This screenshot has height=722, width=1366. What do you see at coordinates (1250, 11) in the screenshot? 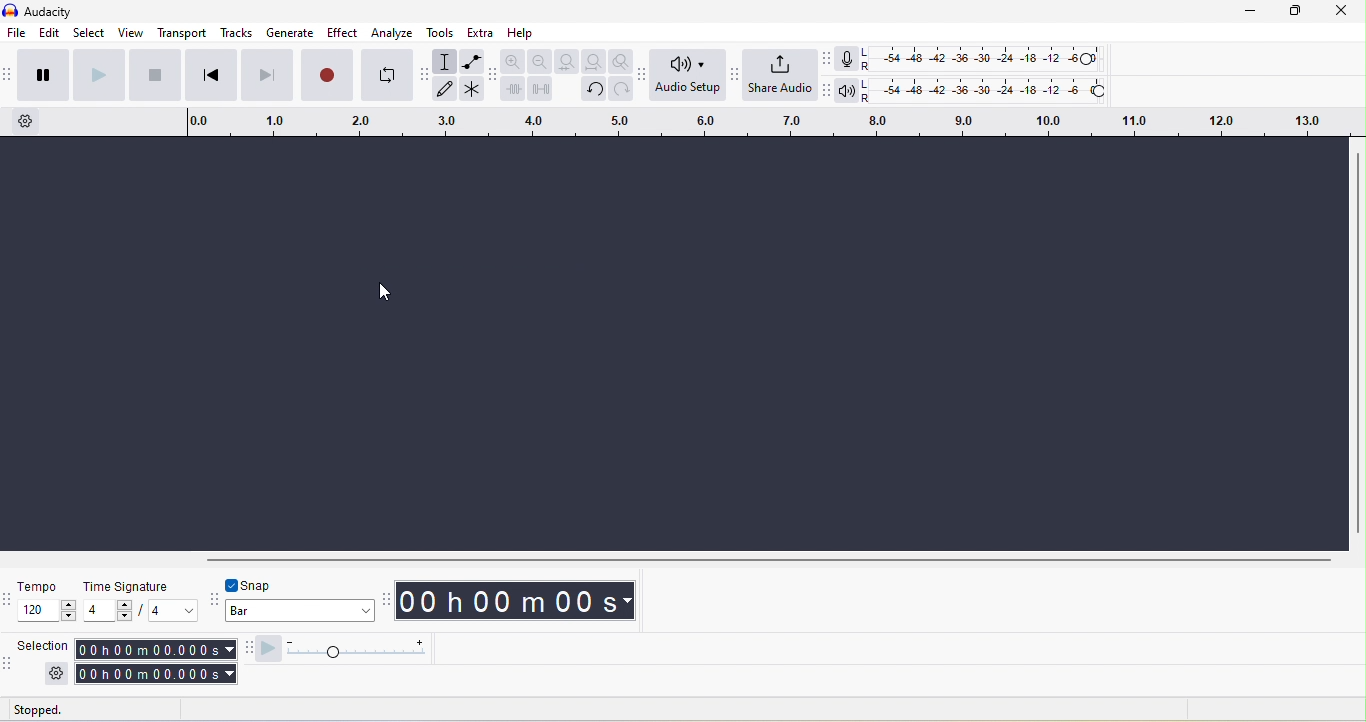
I see `minimize` at bounding box center [1250, 11].